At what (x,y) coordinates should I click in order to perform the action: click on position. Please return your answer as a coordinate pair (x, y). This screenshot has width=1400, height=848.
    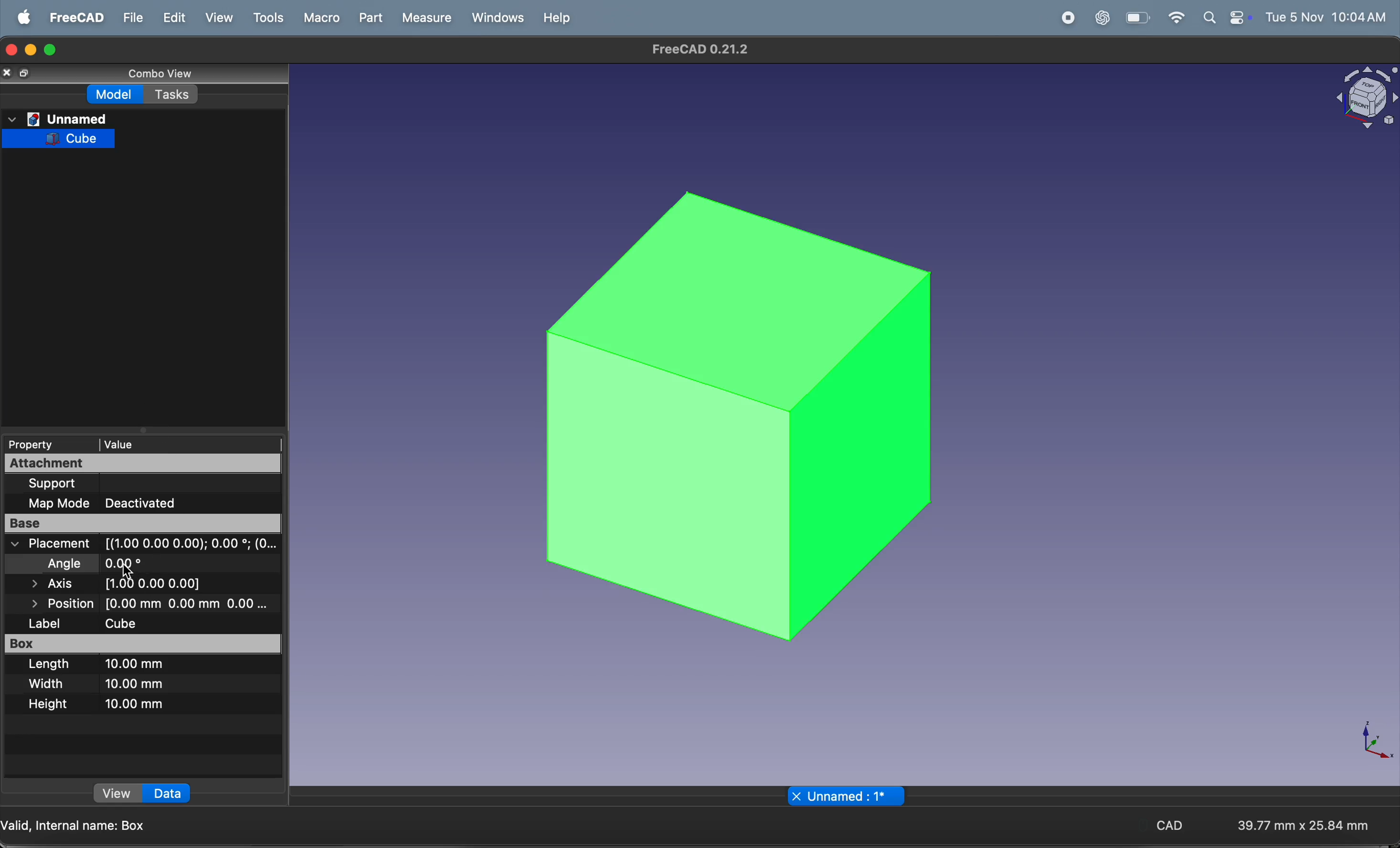
    Looking at the image, I should click on (55, 604).